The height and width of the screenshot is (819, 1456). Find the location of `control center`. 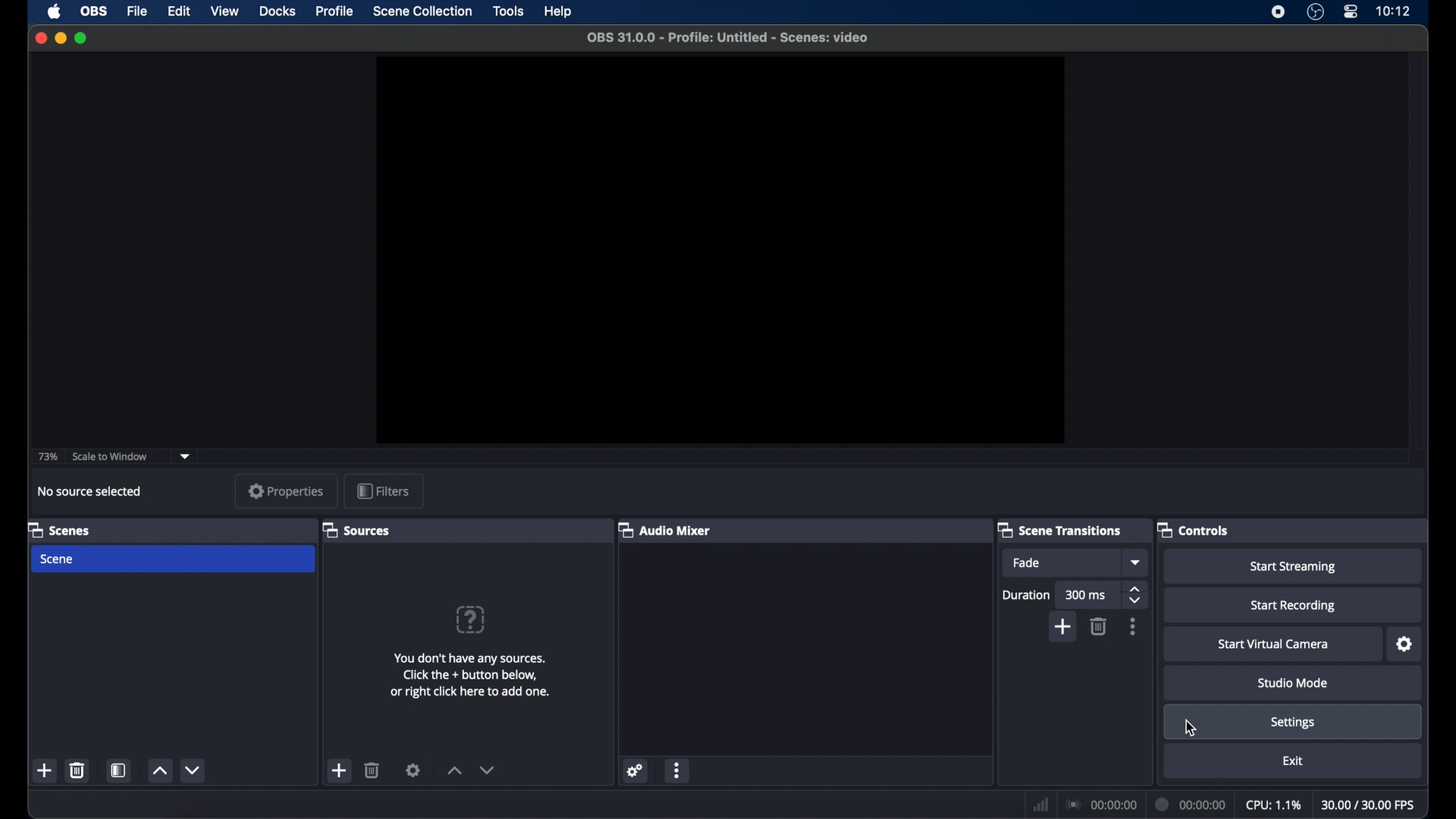

control center is located at coordinates (1350, 12).